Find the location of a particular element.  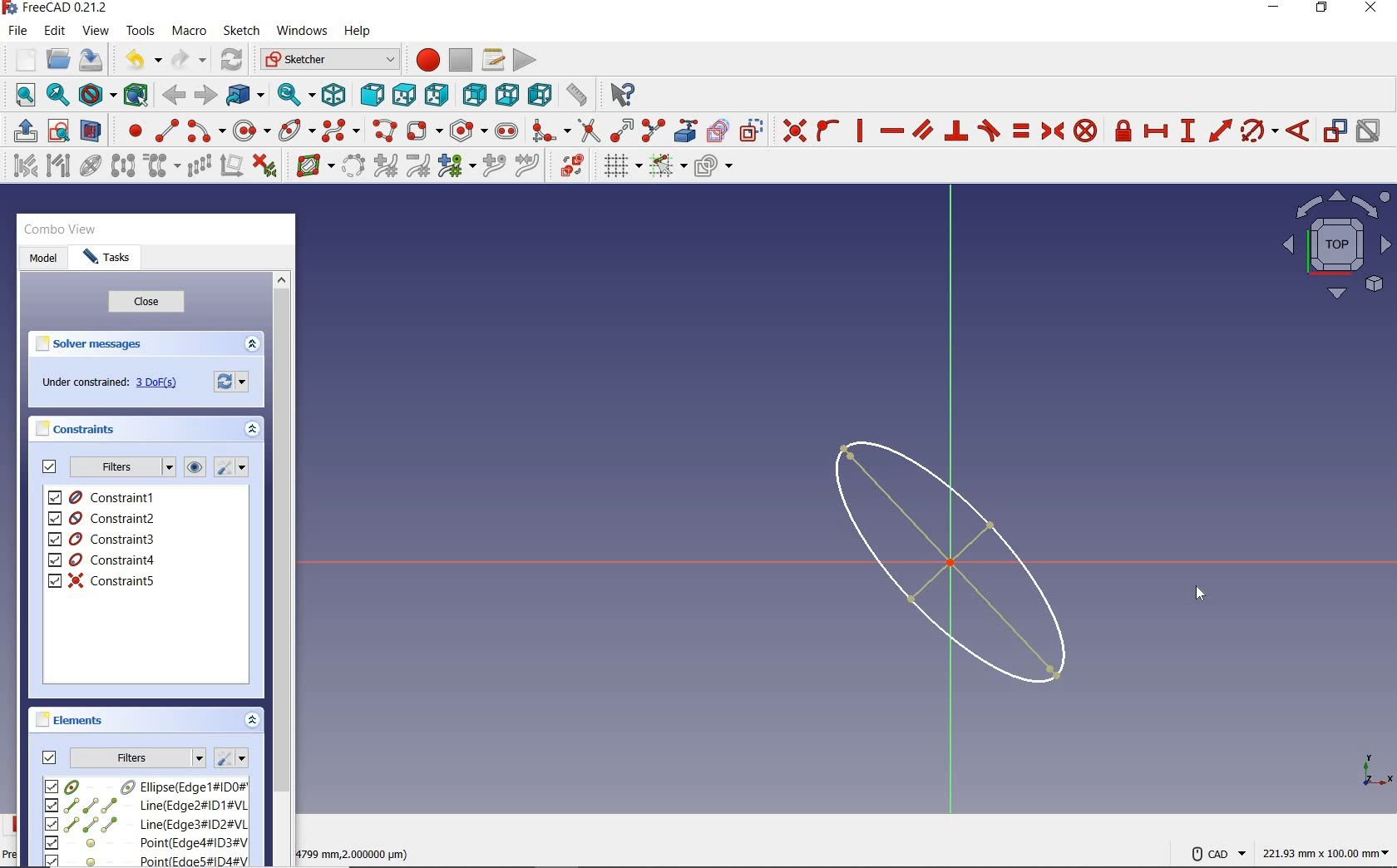

constrain distance is located at coordinates (1221, 129).